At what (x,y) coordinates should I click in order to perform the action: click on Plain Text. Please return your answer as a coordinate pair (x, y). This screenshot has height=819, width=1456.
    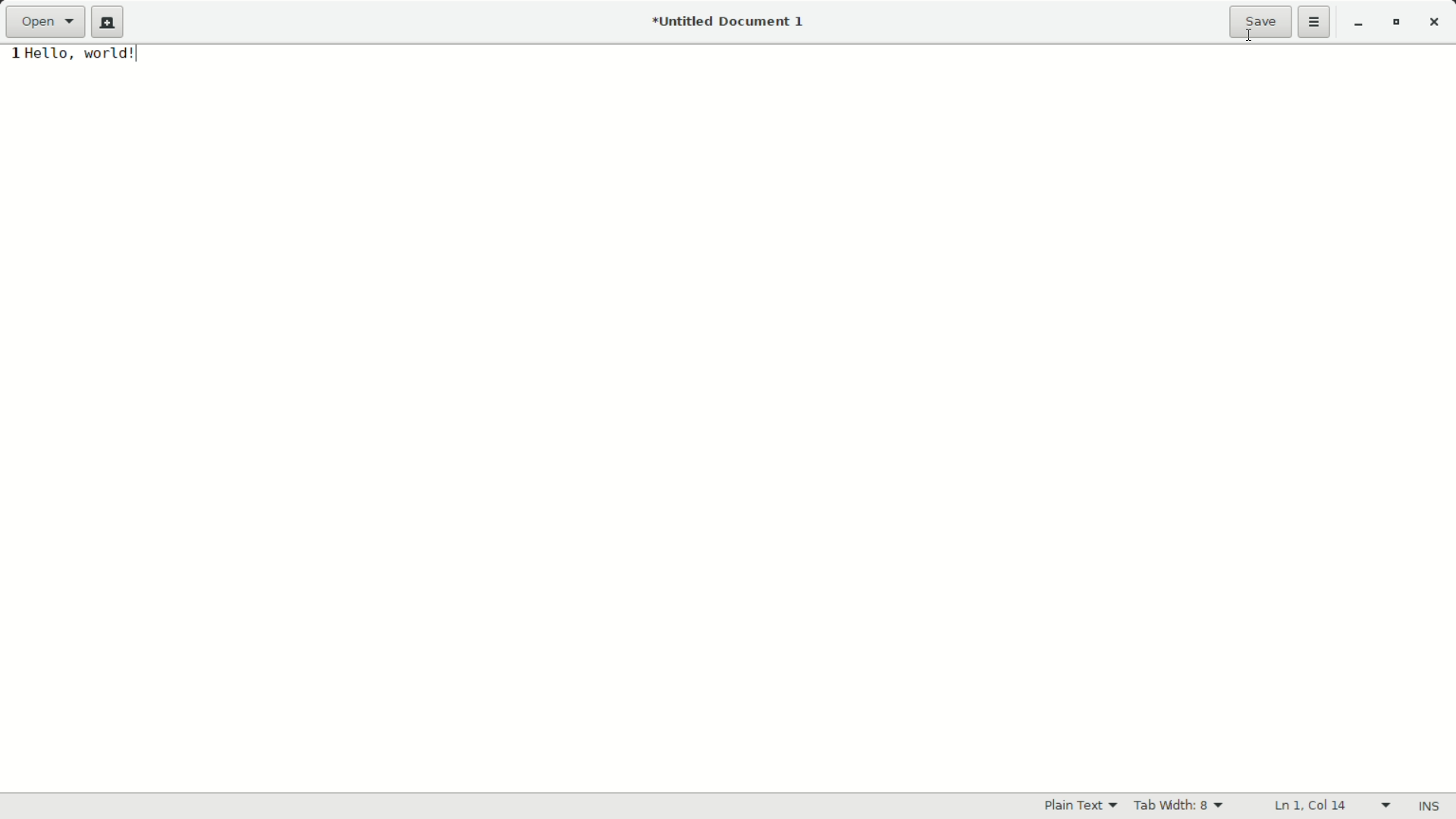
    Looking at the image, I should click on (1081, 806).